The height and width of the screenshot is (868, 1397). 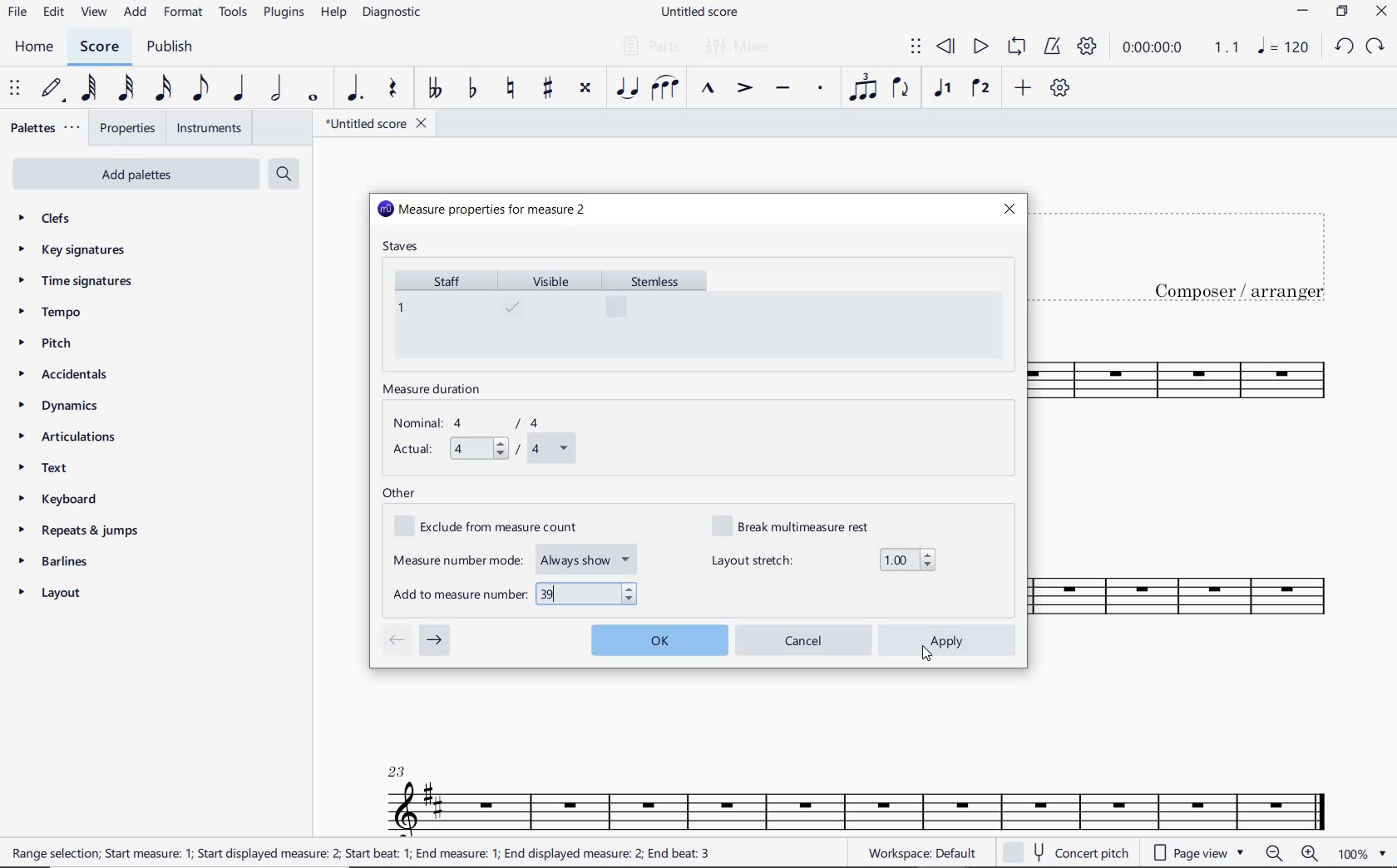 I want to click on stemless, so click(x=662, y=313).